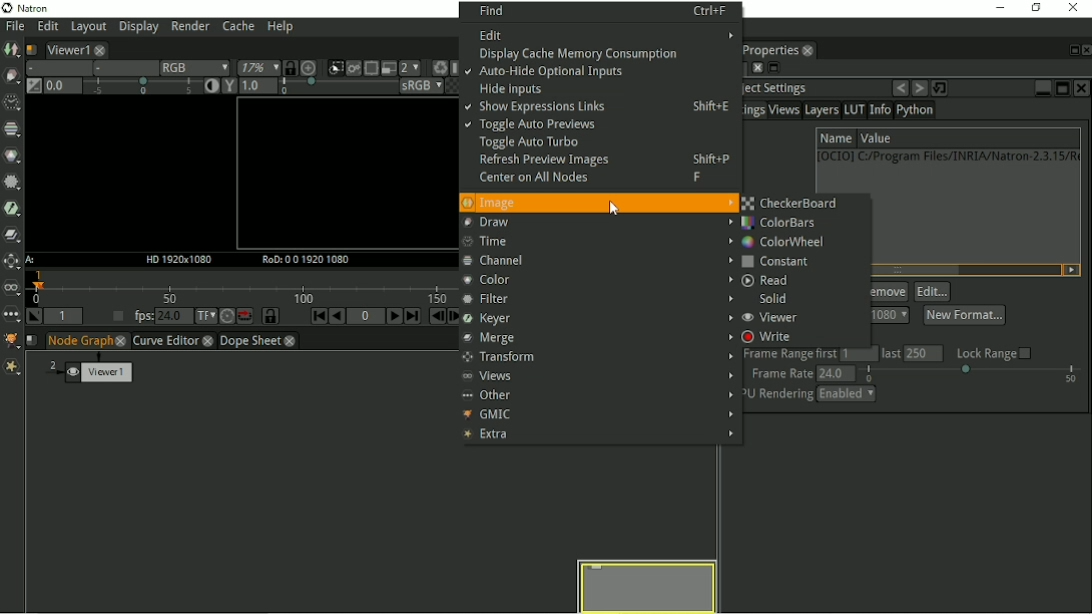 The image size is (1092, 614). I want to click on New format, so click(964, 314).